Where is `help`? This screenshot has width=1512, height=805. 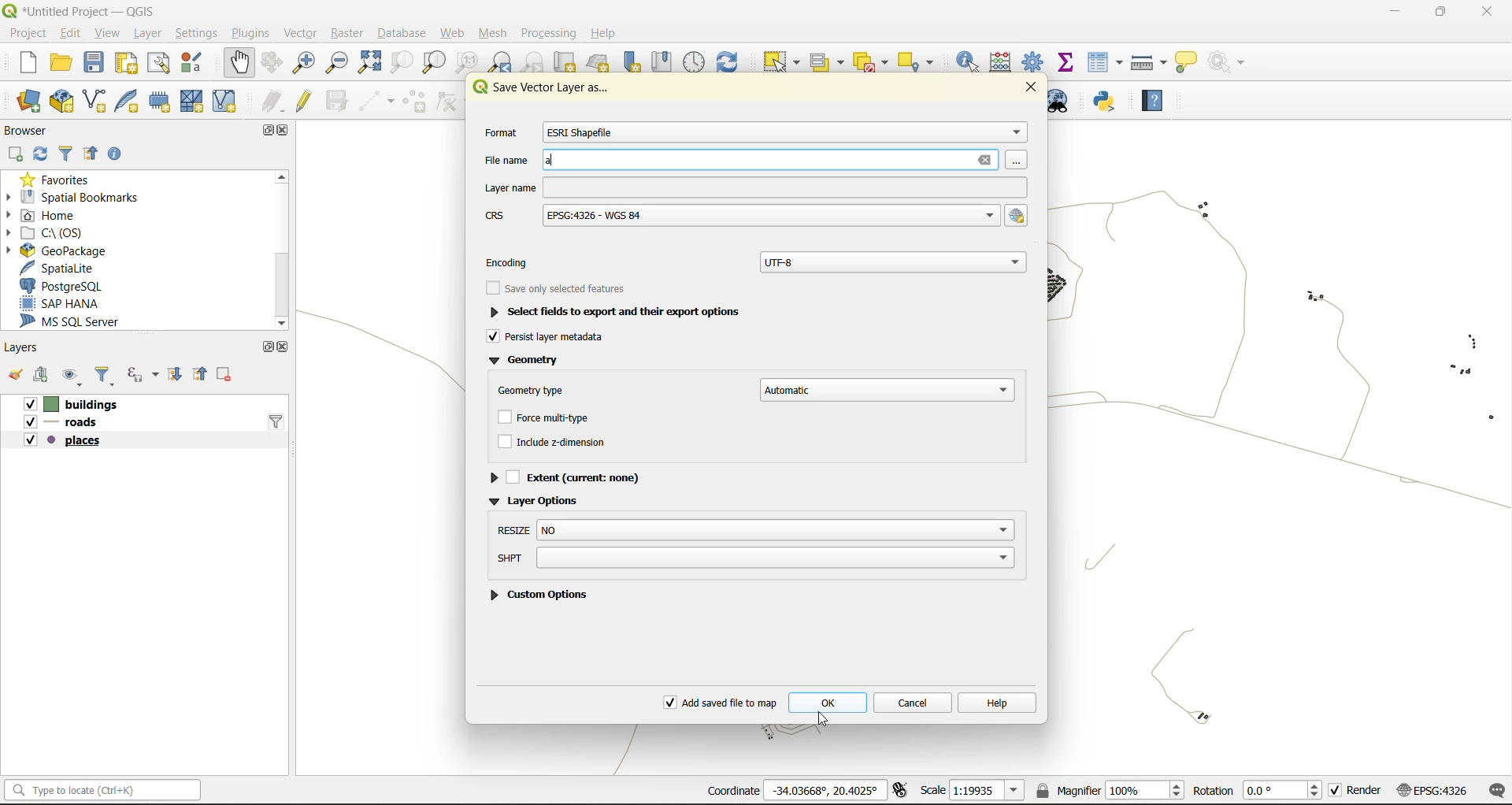 help is located at coordinates (1157, 97).